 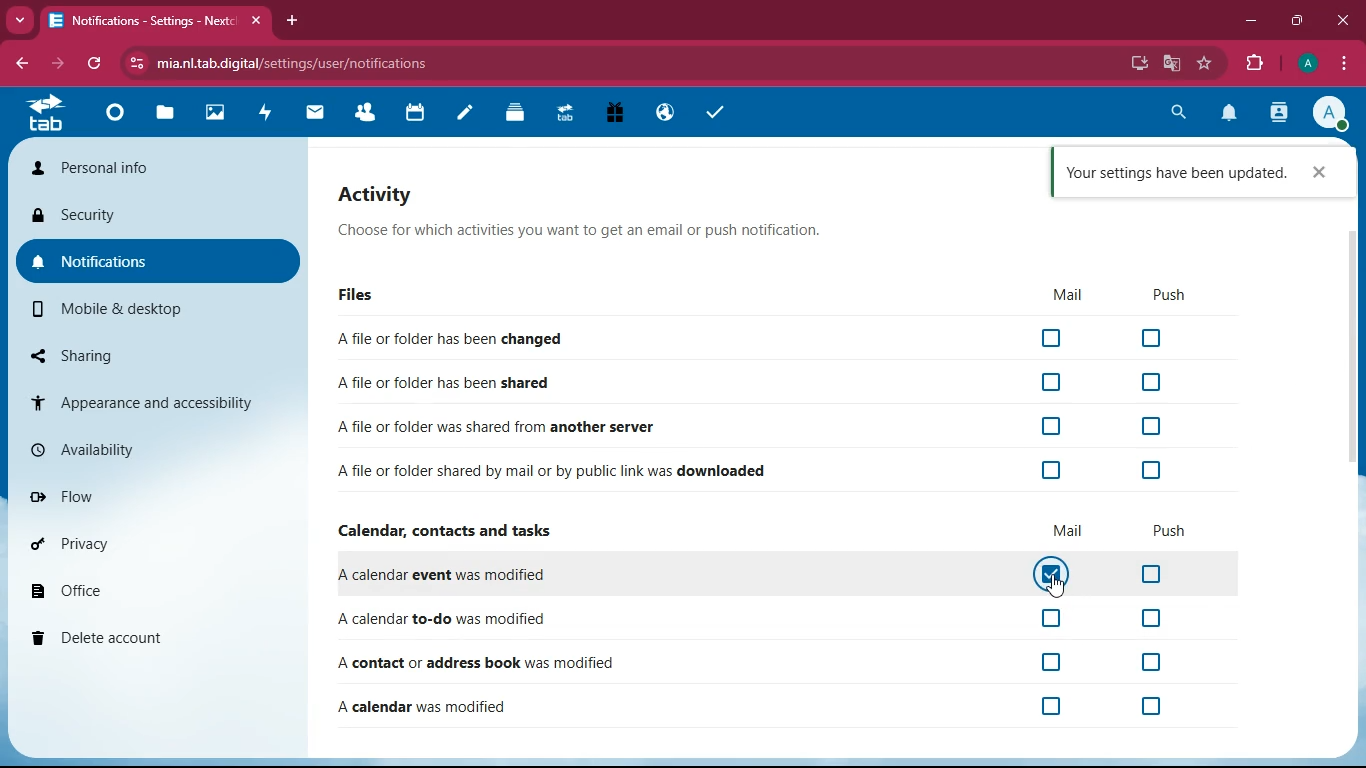 What do you see at coordinates (1172, 295) in the screenshot?
I see `push` at bounding box center [1172, 295].